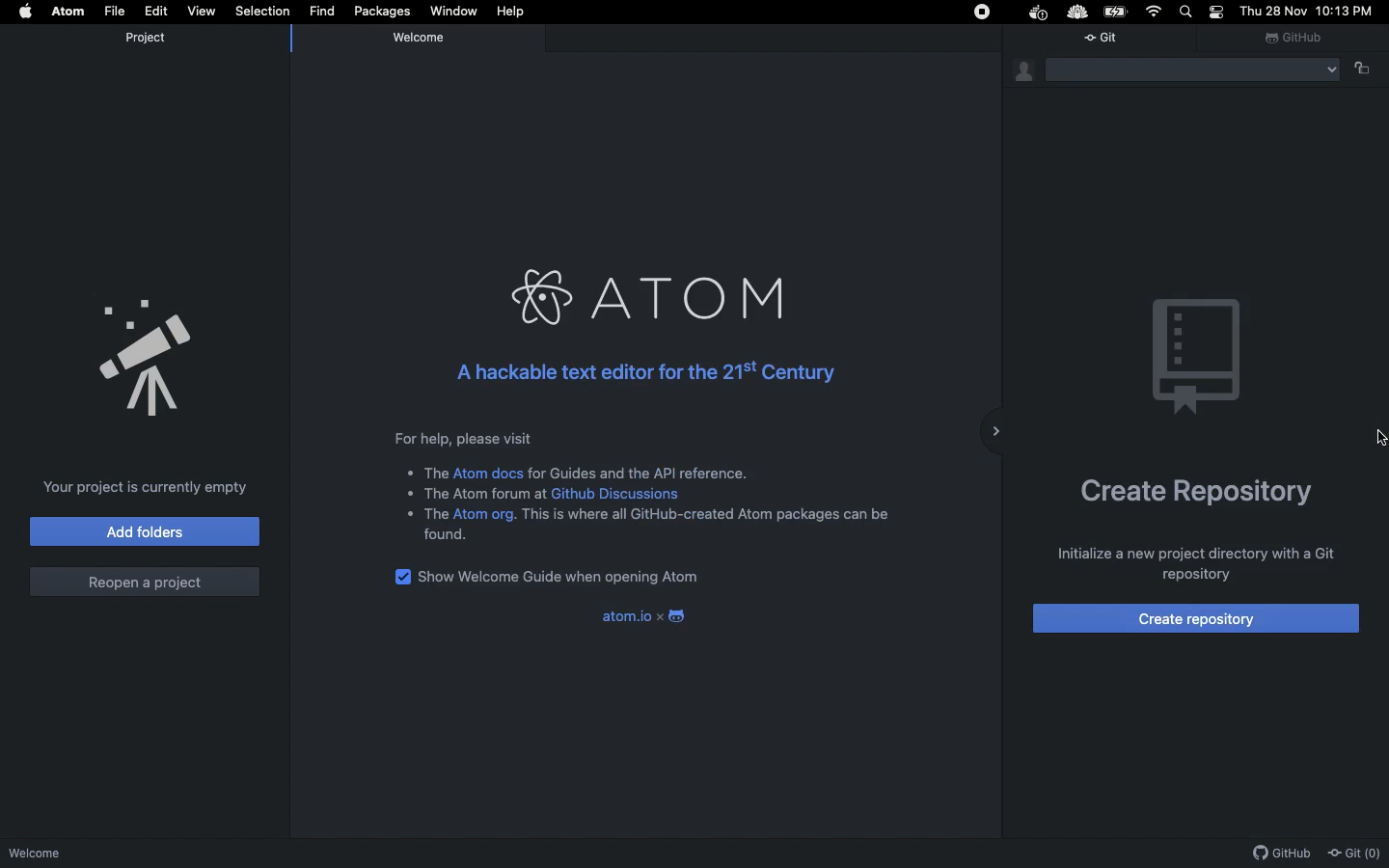  Describe the element at coordinates (1370, 440) in the screenshot. I see `Cursor` at that location.